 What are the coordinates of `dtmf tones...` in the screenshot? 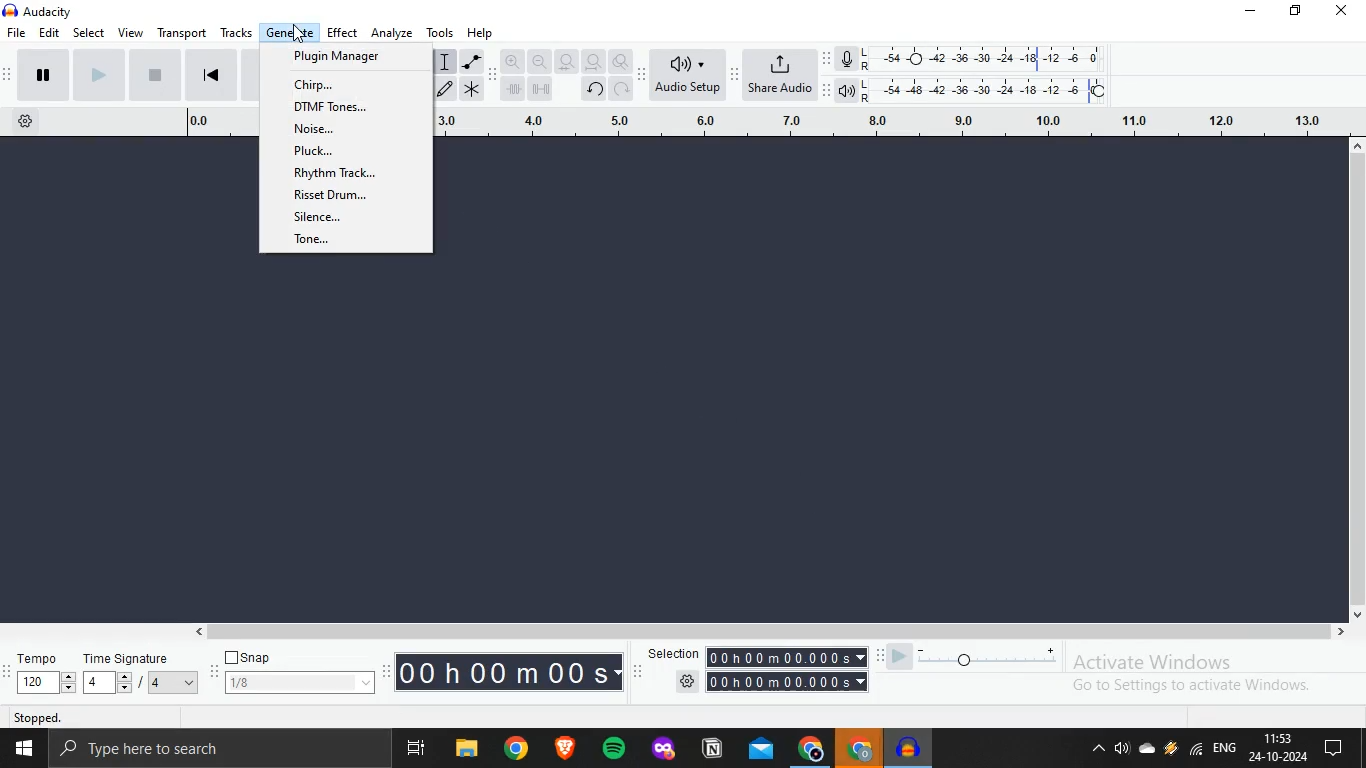 It's located at (336, 107).